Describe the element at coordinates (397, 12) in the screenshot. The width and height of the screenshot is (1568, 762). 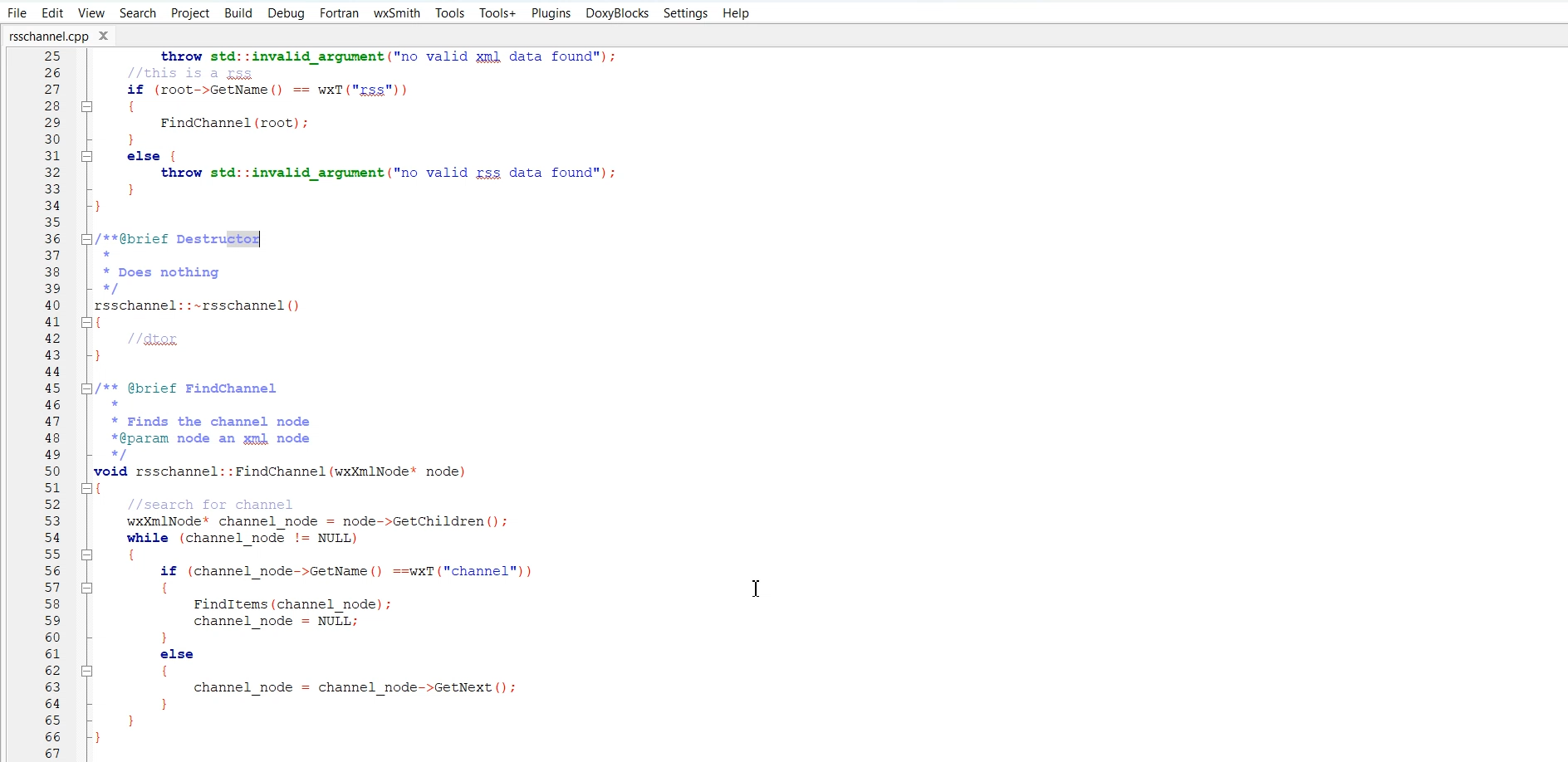
I see `wxSmith` at that location.